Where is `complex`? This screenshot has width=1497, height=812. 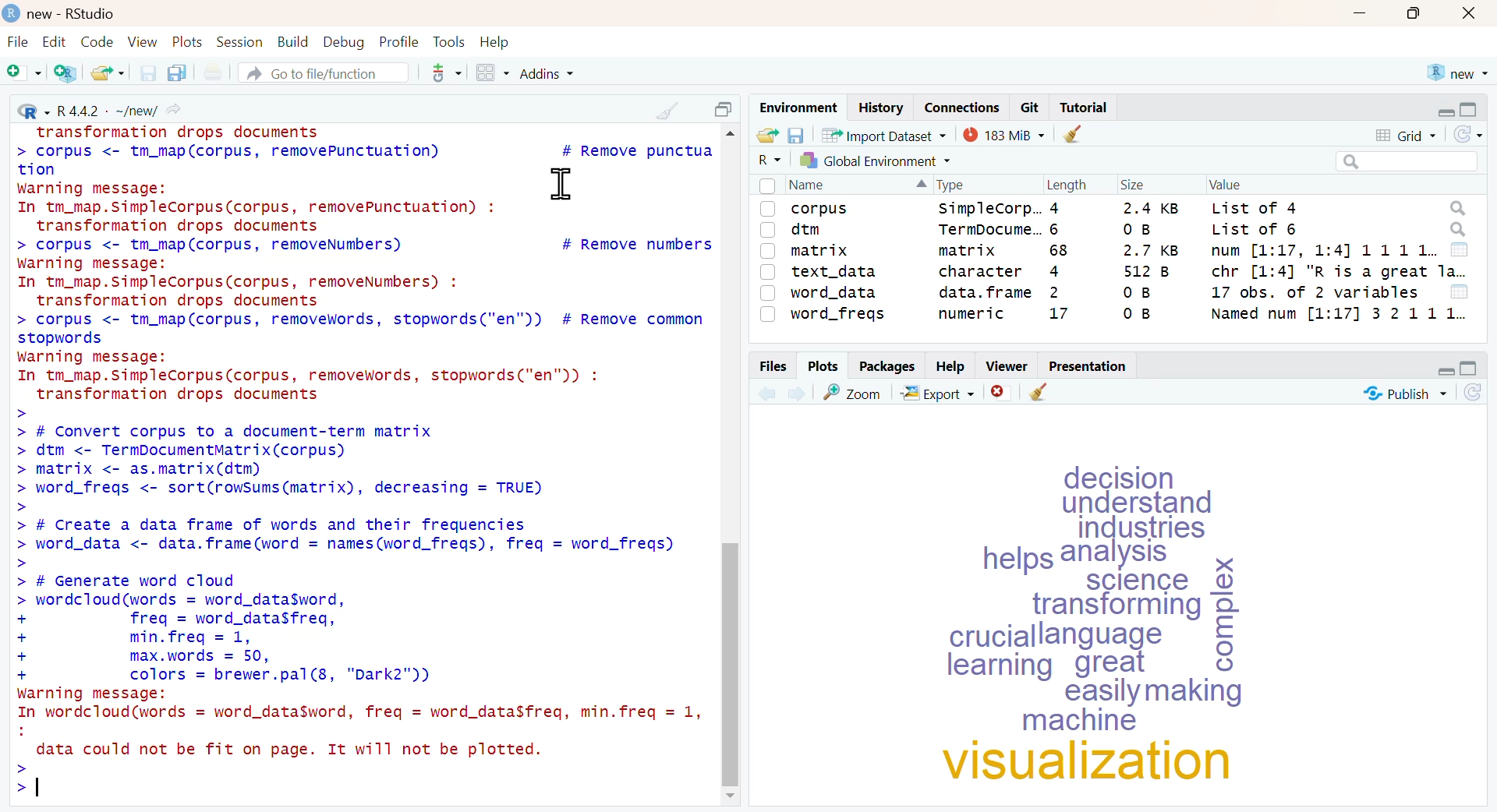
complex is located at coordinates (1223, 612).